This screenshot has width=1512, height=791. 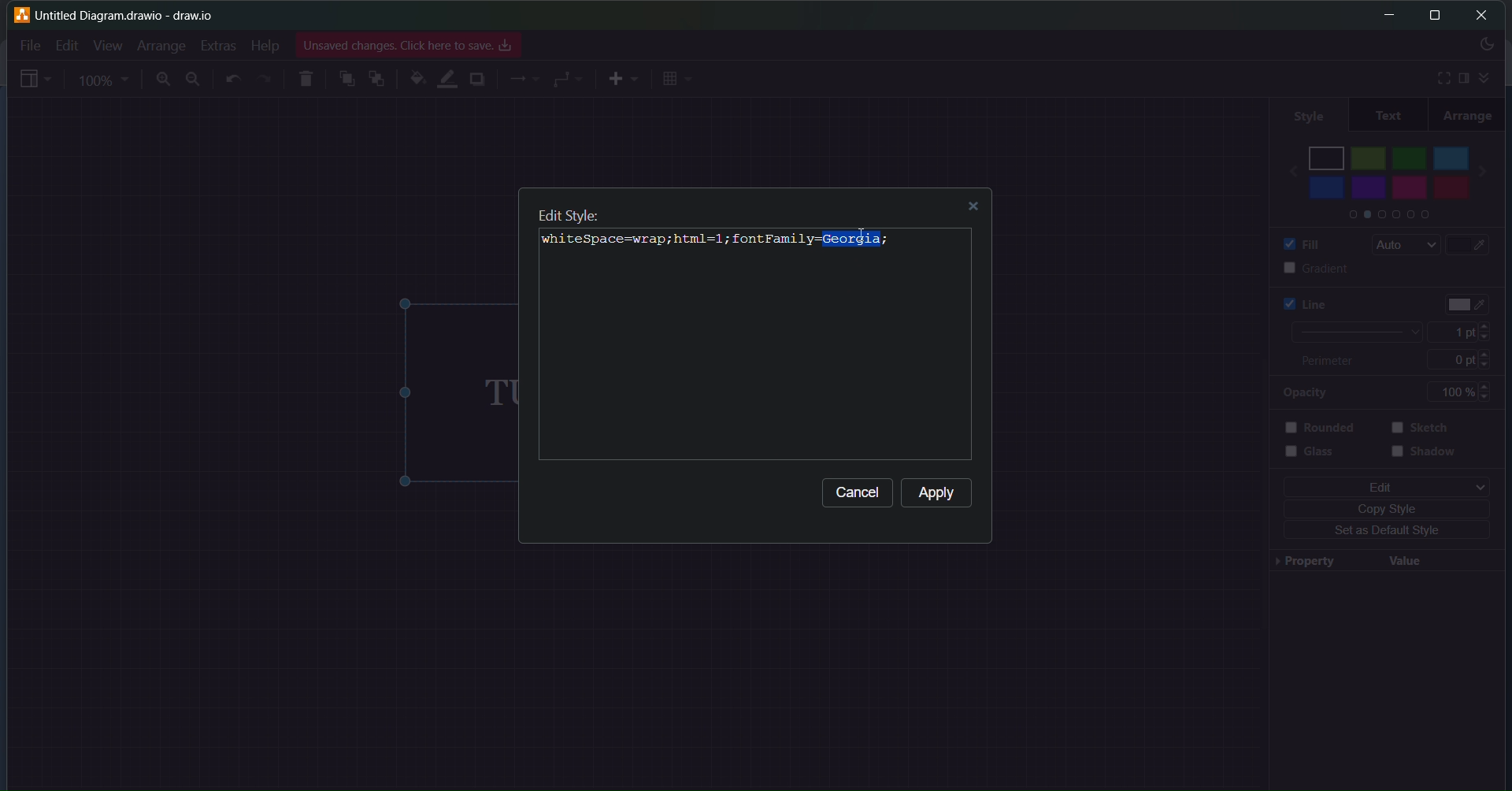 I want to click on expand/collapse, so click(x=1488, y=76).